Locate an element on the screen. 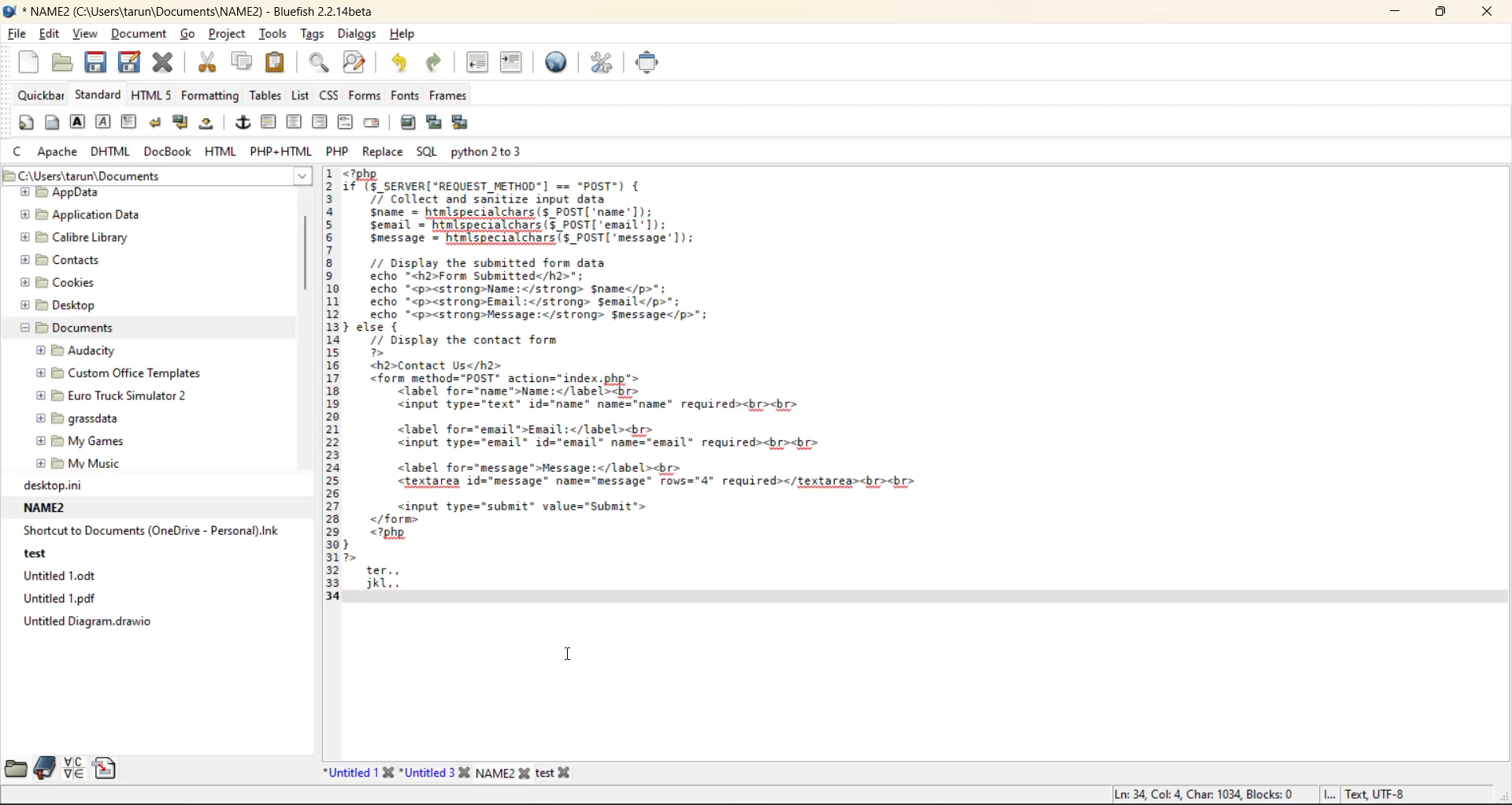 This screenshot has height=805, width=1512. emphasis is located at coordinates (103, 122).